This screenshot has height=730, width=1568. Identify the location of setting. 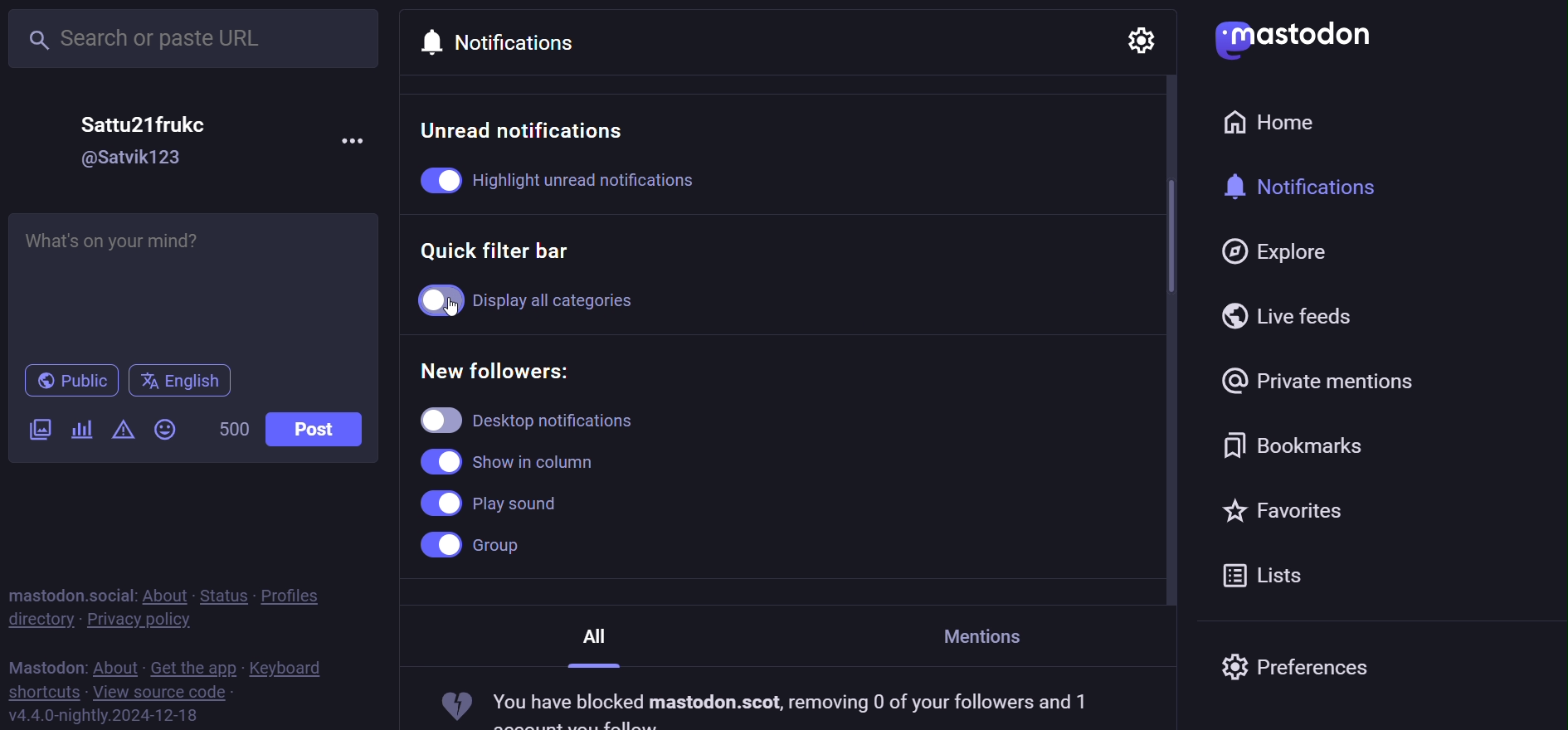
(1140, 43).